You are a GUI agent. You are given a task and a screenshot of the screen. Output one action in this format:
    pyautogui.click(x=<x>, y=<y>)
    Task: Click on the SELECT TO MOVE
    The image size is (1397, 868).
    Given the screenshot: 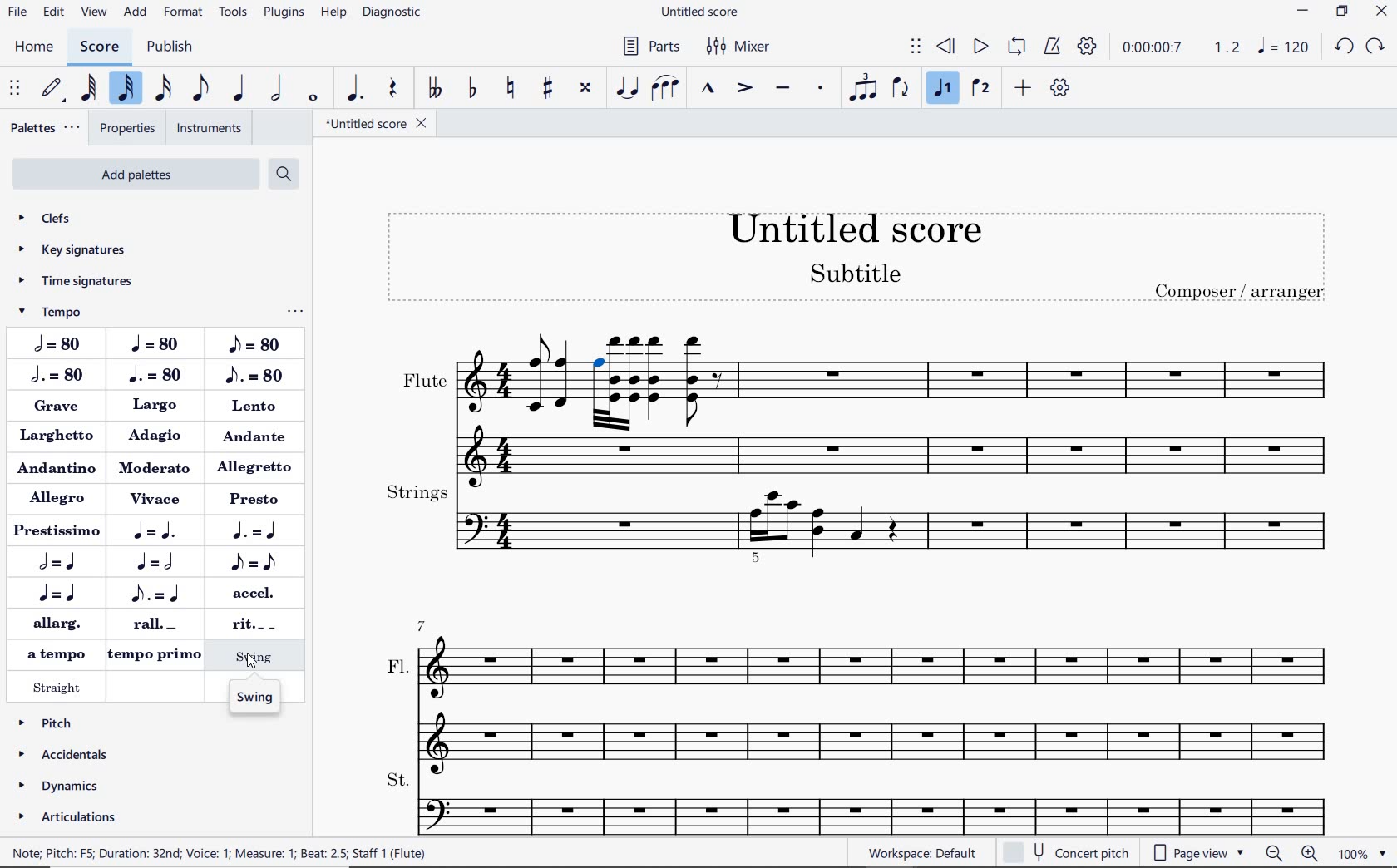 What is the action you would take?
    pyautogui.click(x=916, y=48)
    